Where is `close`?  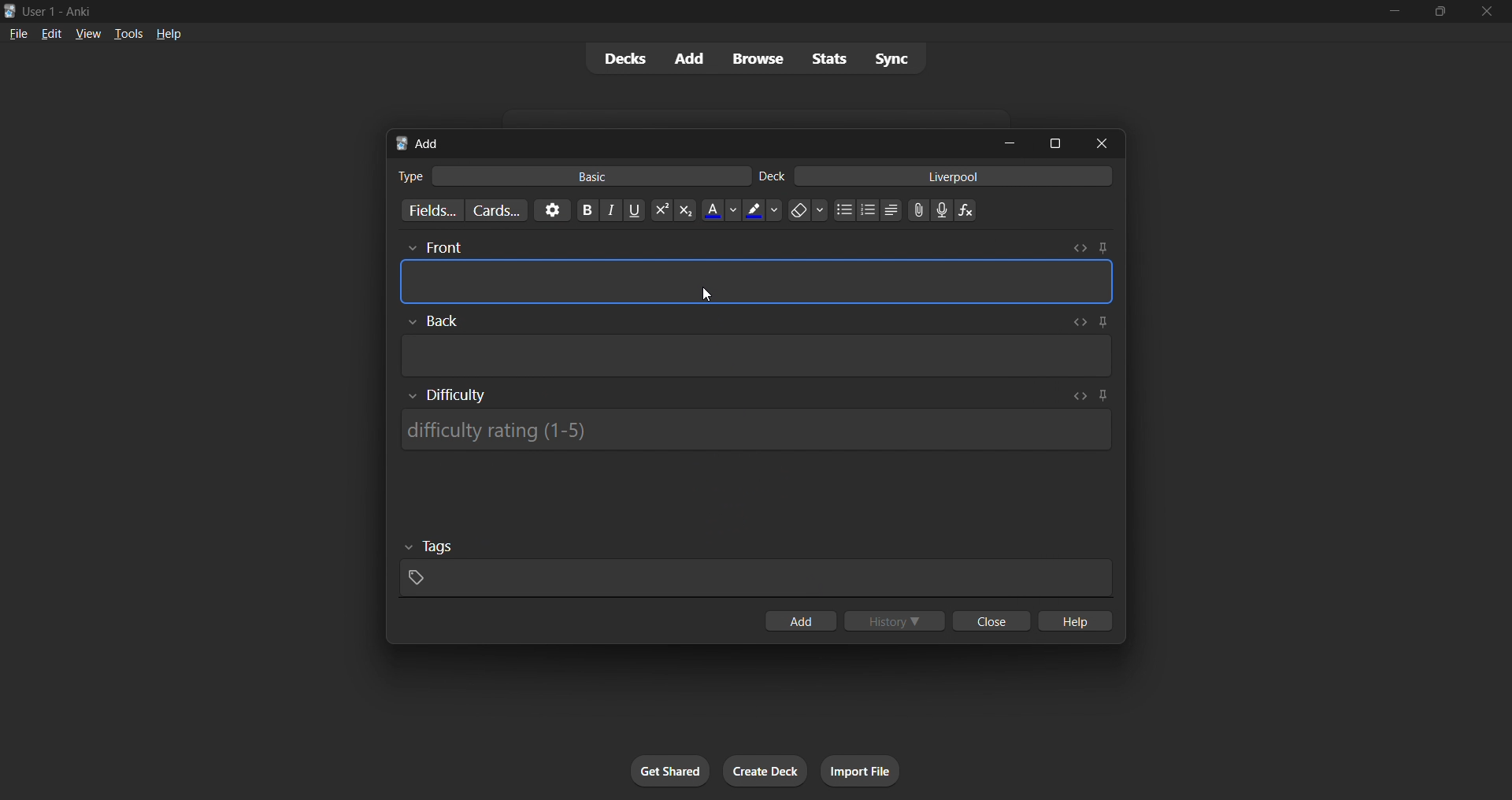
close is located at coordinates (1487, 12).